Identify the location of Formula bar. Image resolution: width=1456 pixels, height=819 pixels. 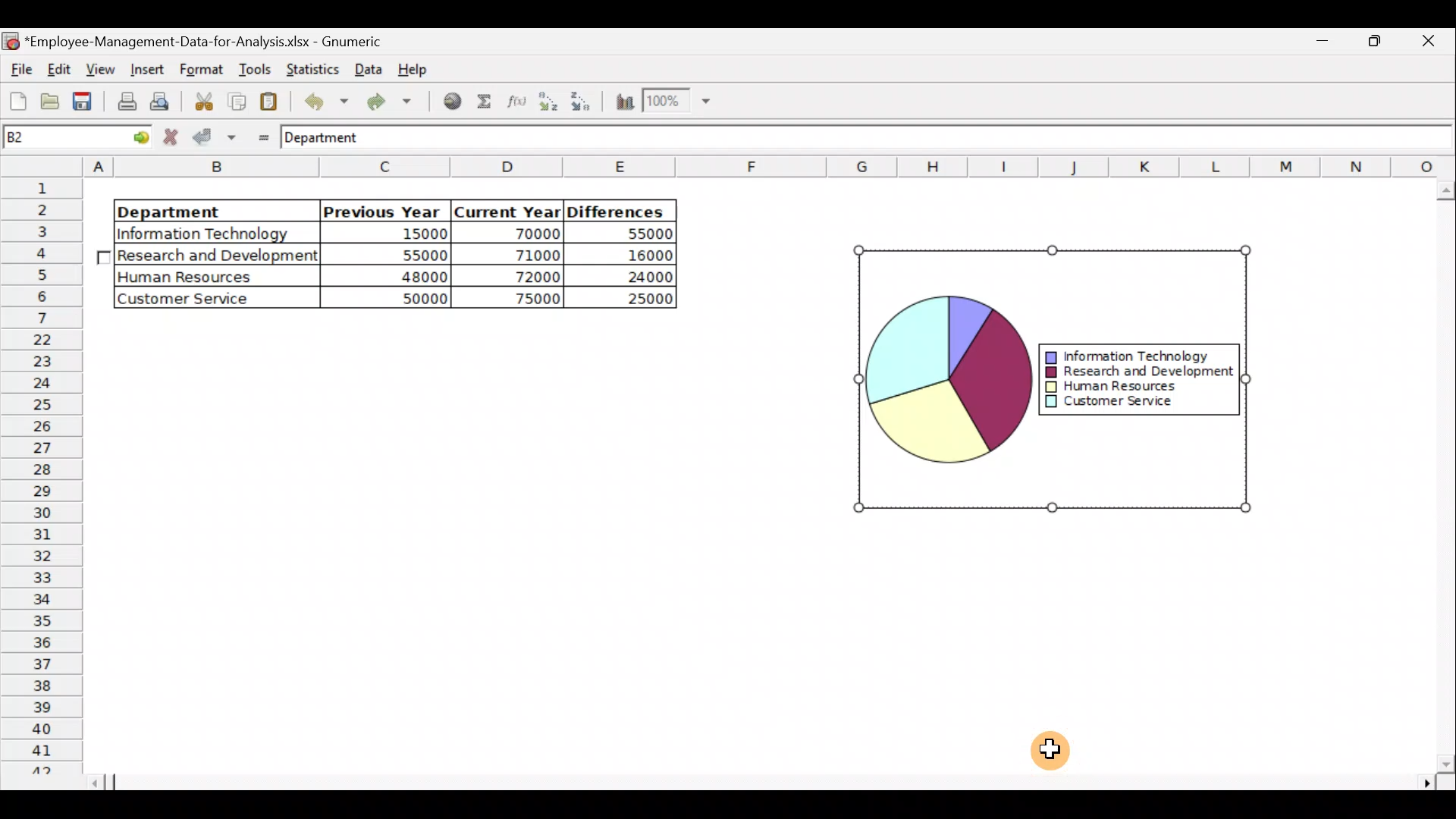
(926, 141).